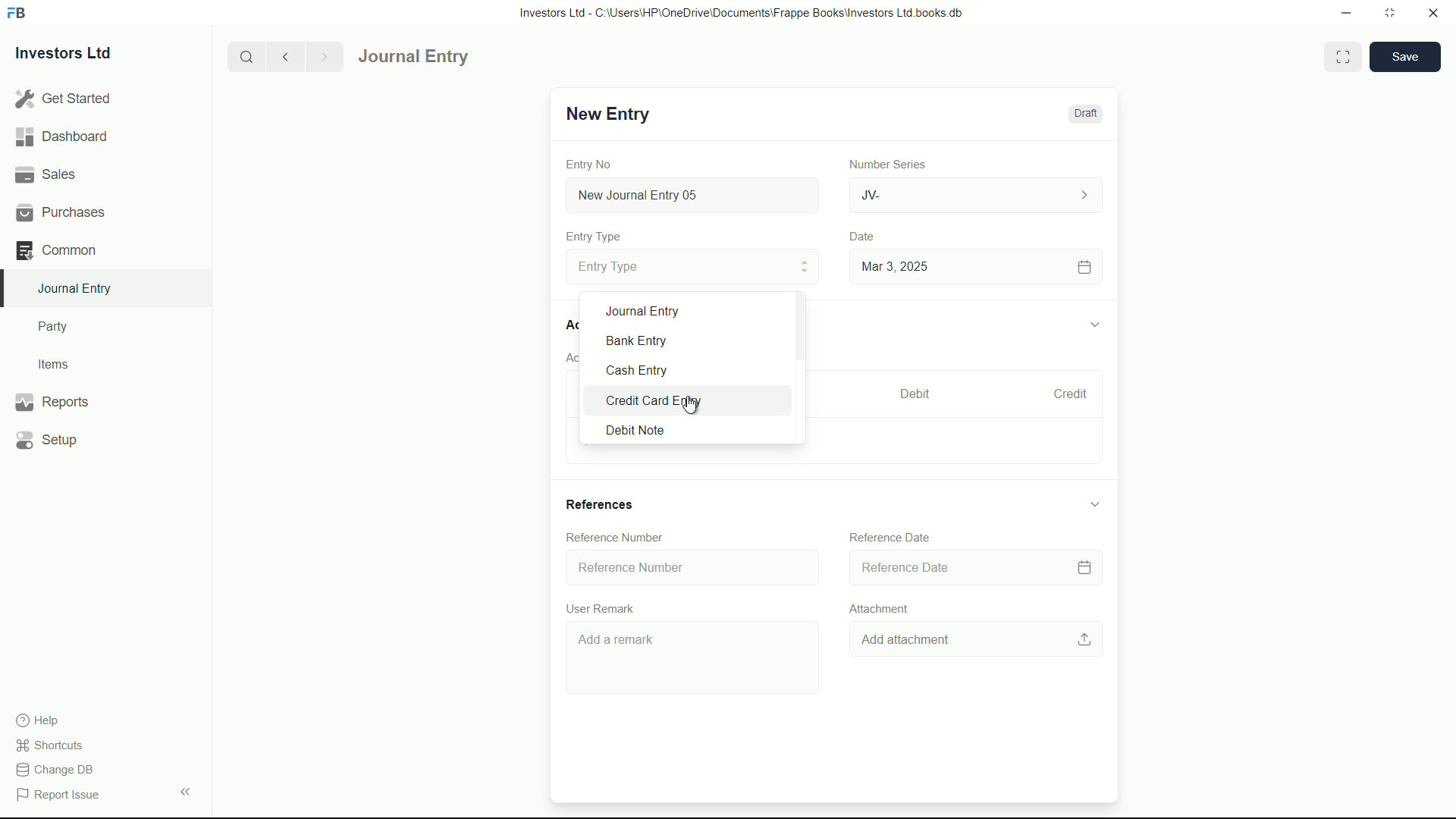 This screenshot has width=1456, height=819. What do you see at coordinates (691, 265) in the screenshot?
I see `Entry Type` at bounding box center [691, 265].